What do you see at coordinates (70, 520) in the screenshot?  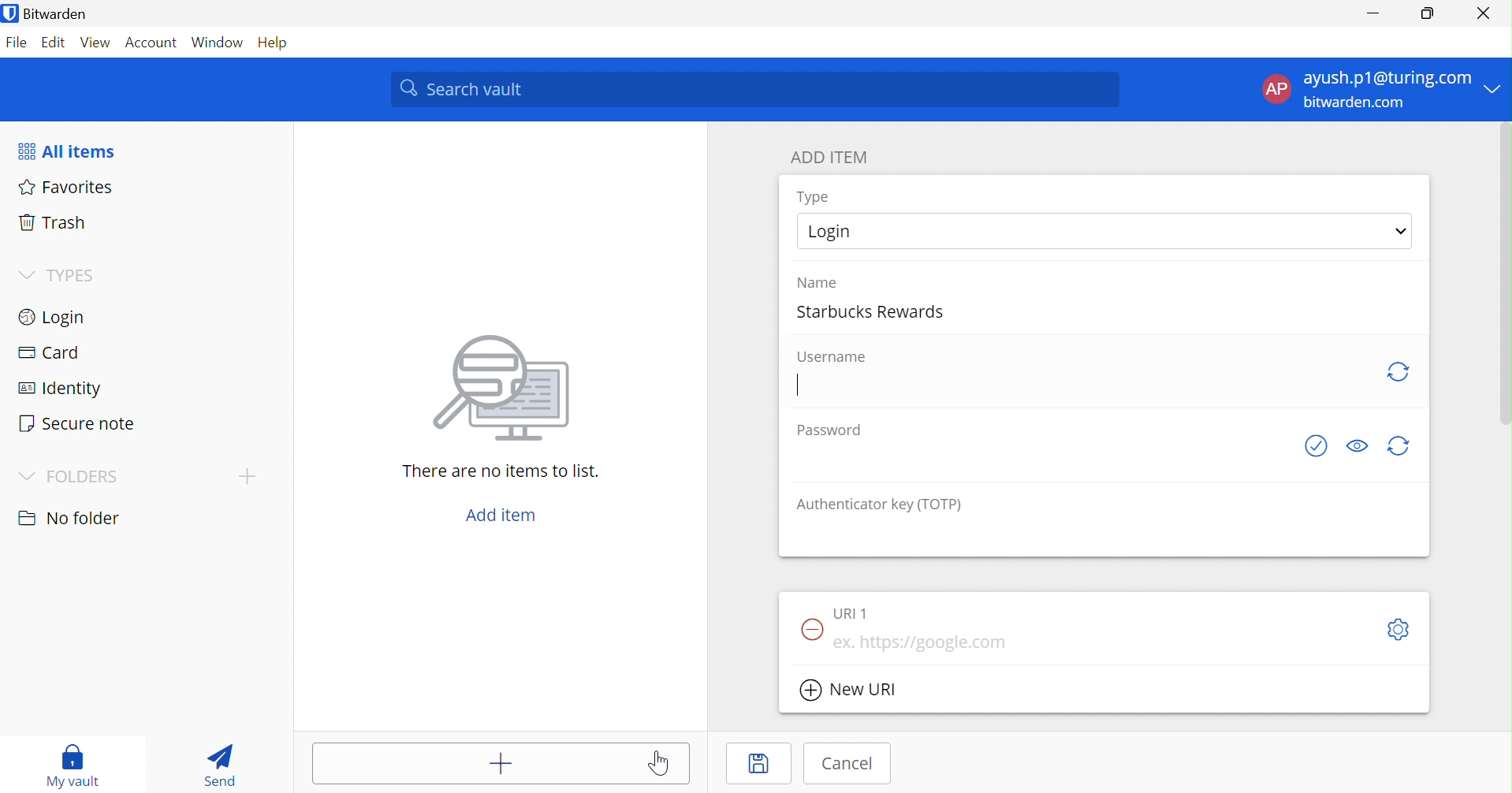 I see `No folder` at bounding box center [70, 520].